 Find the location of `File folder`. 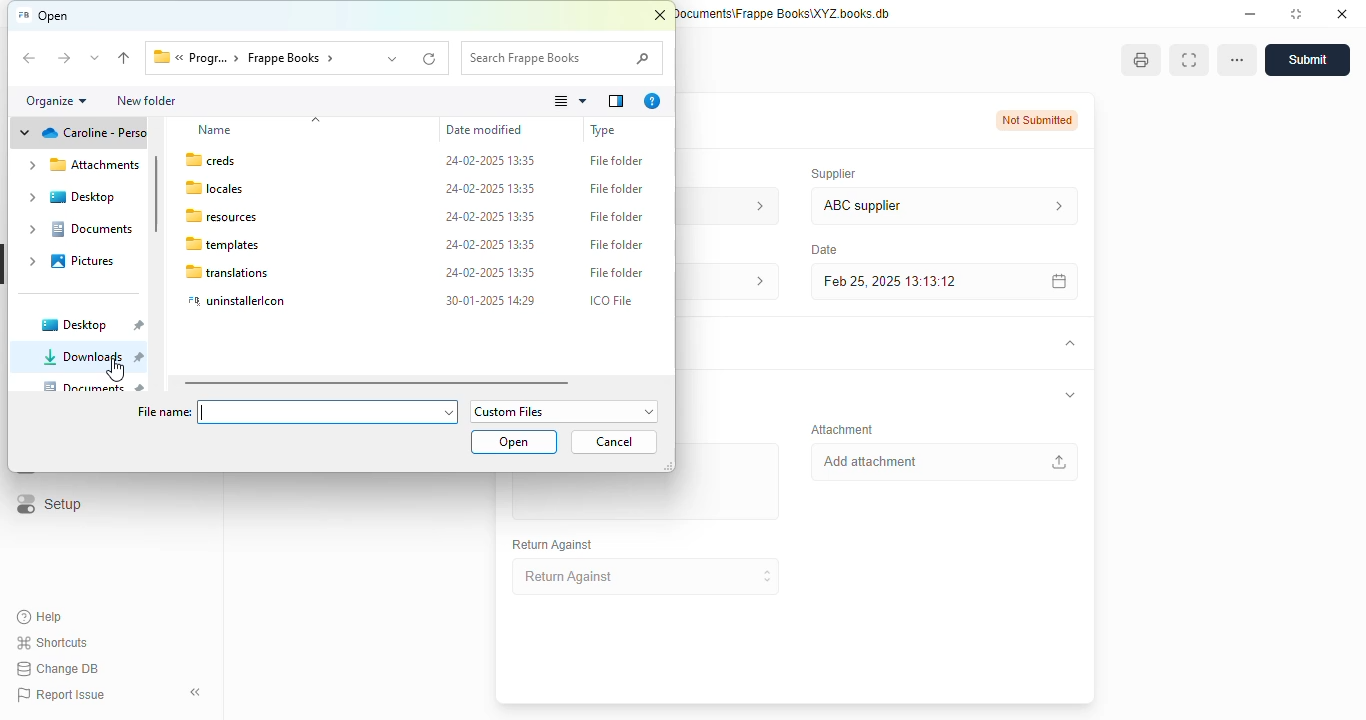

File folder is located at coordinates (617, 273).